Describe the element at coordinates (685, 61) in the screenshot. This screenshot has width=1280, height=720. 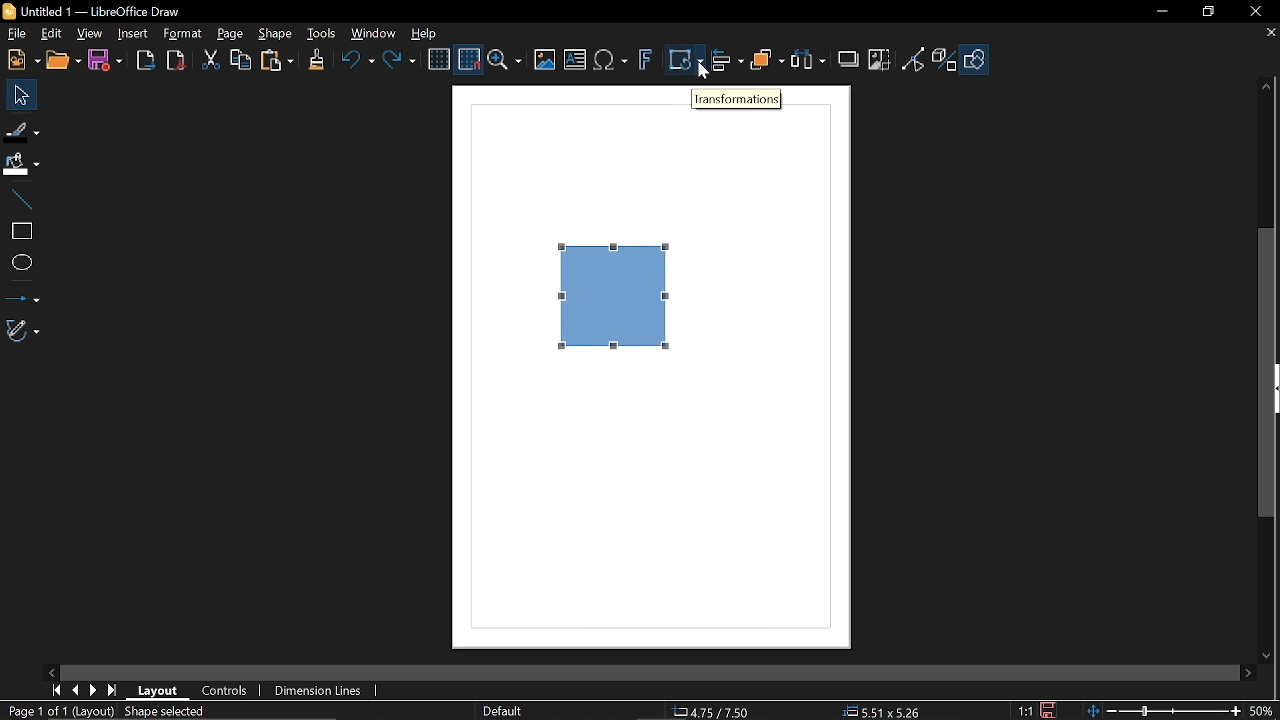
I see `Transformation` at that location.